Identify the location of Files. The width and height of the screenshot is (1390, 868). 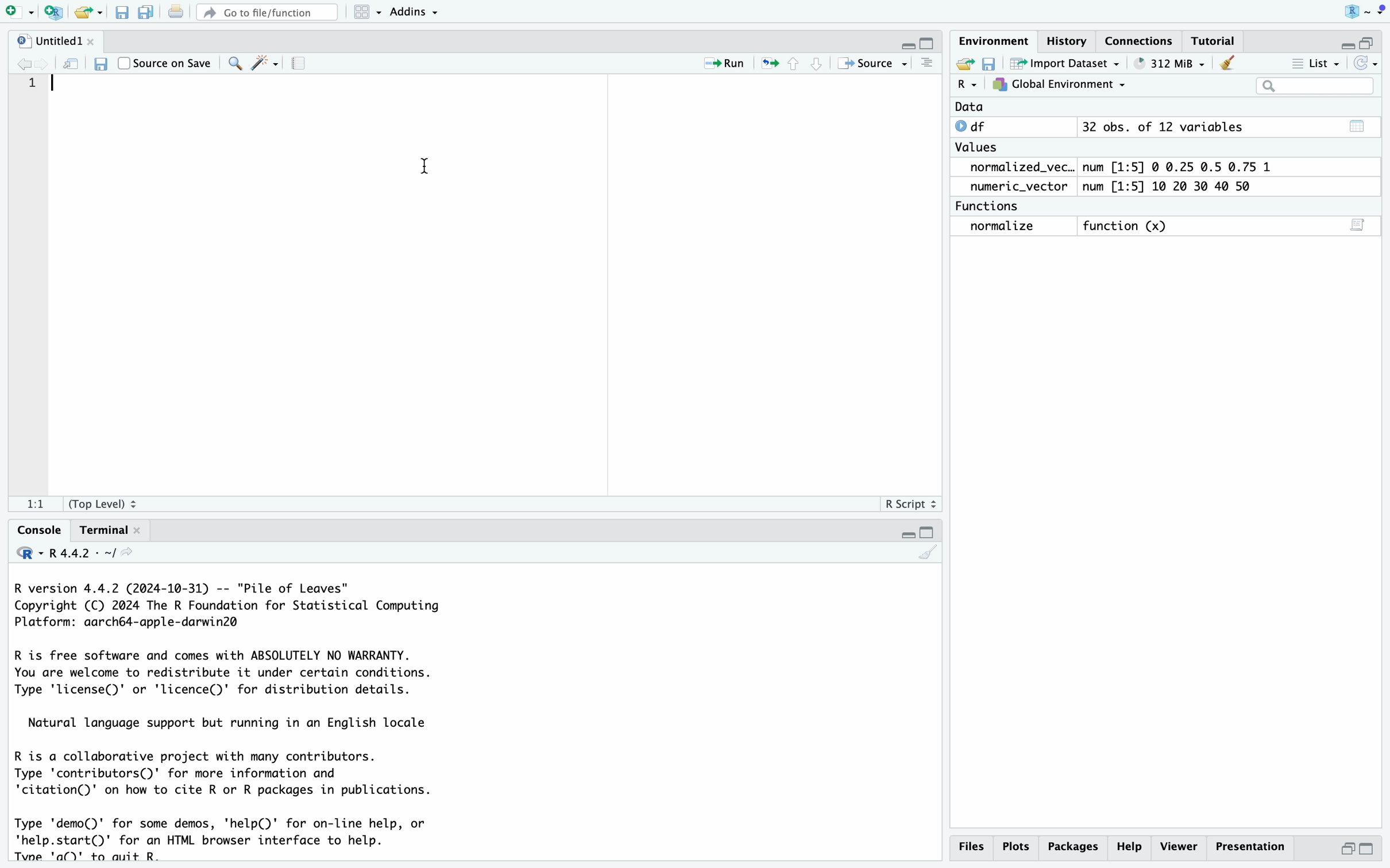
(971, 846).